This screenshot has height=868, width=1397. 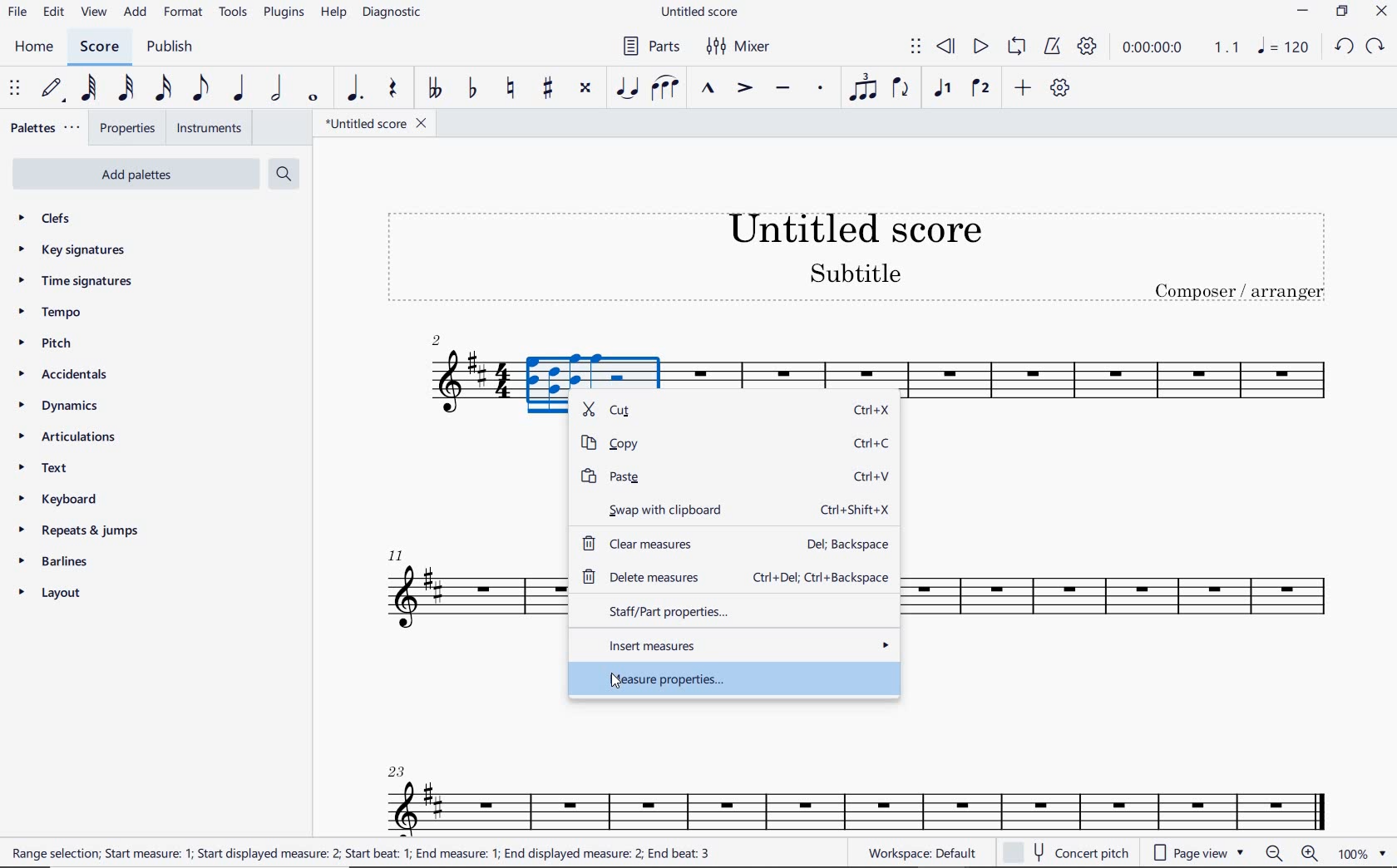 I want to click on REPEATS & JUMPS, so click(x=79, y=533).